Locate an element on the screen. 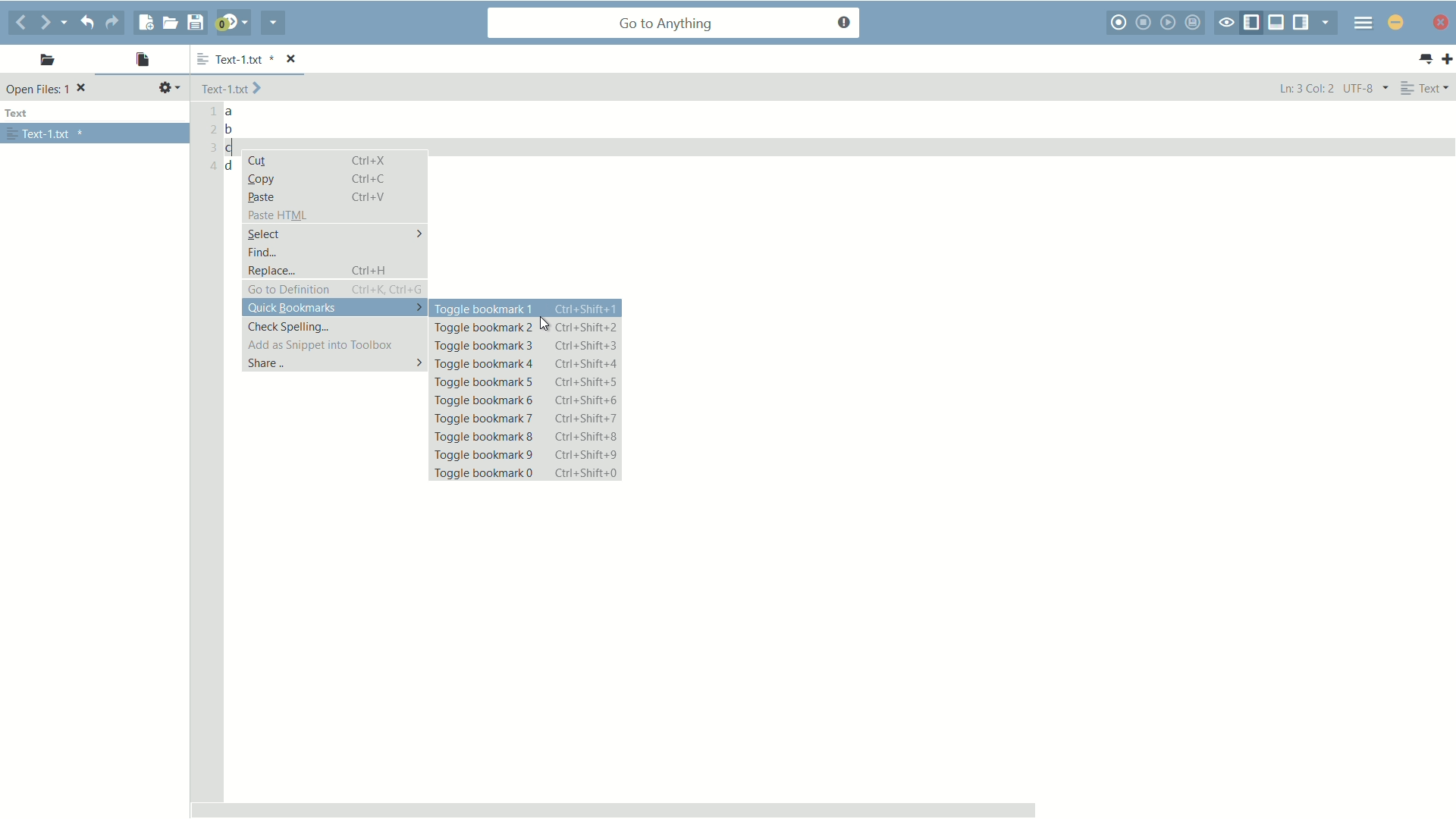 The height and width of the screenshot is (819, 1456). redo is located at coordinates (117, 23).